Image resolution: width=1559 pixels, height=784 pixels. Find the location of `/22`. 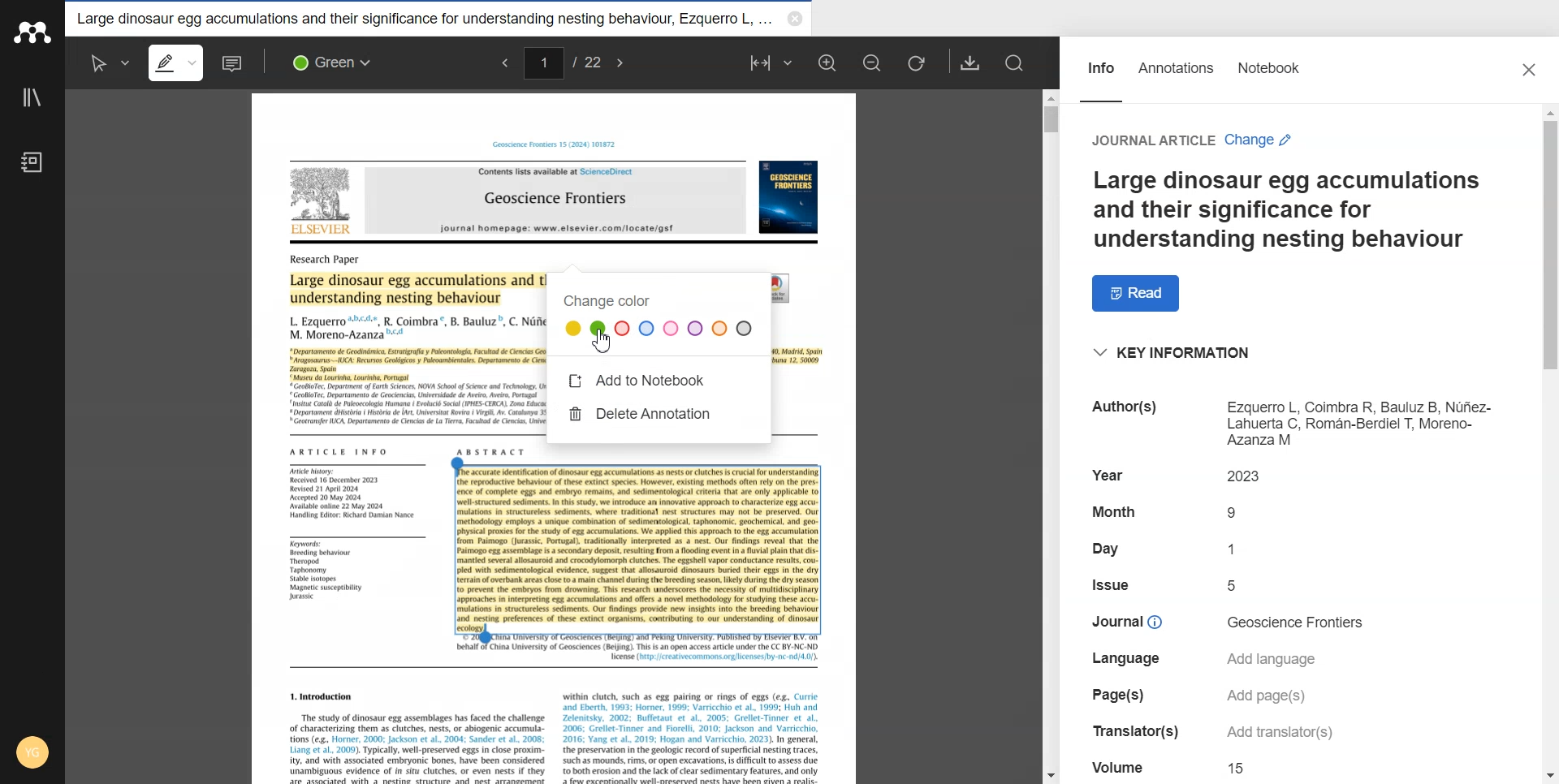

/22 is located at coordinates (586, 61).